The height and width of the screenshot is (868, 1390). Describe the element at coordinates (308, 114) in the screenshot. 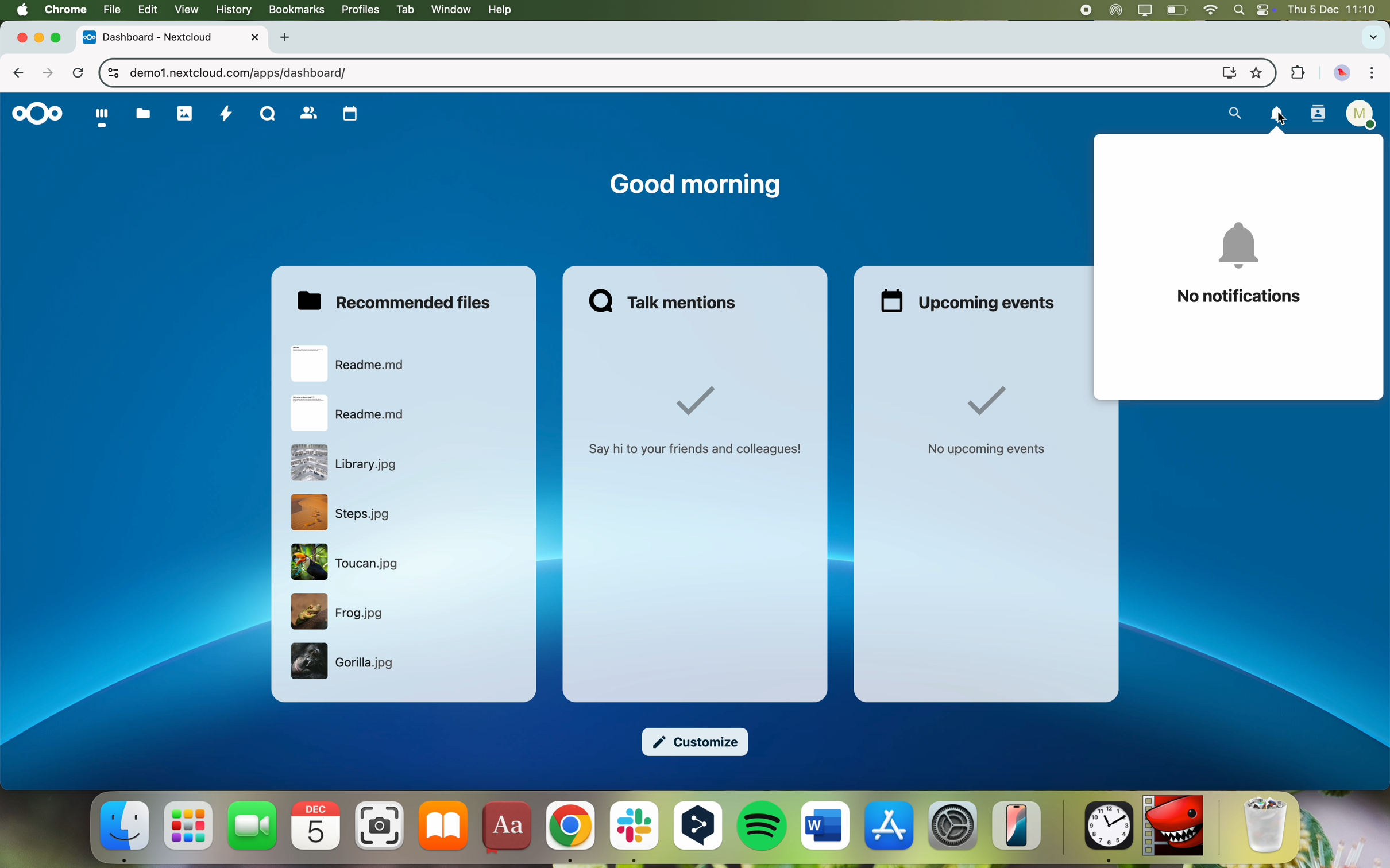

I see `contacts` at that location.